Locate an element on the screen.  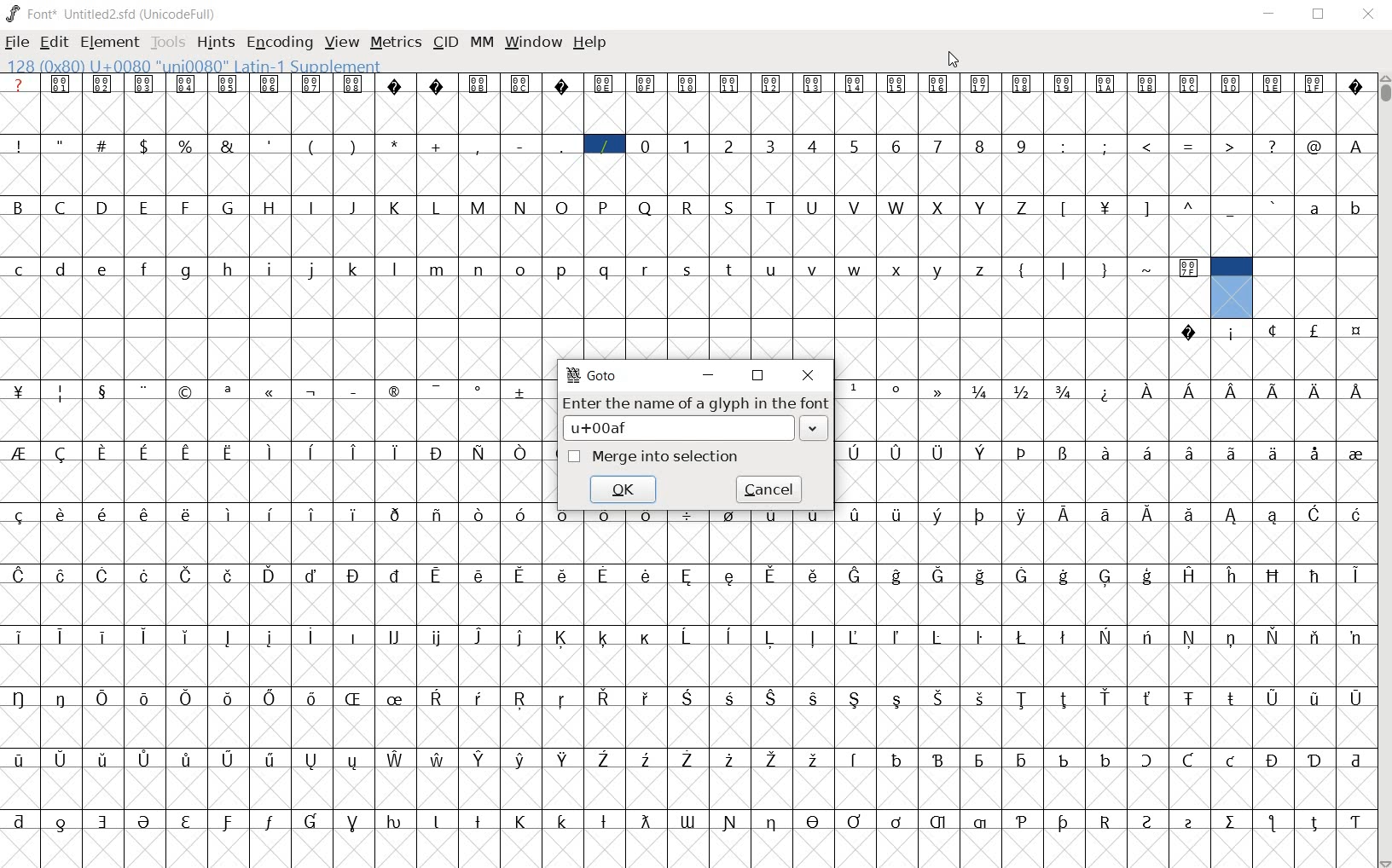
_ is located at coordinates (564, 146).